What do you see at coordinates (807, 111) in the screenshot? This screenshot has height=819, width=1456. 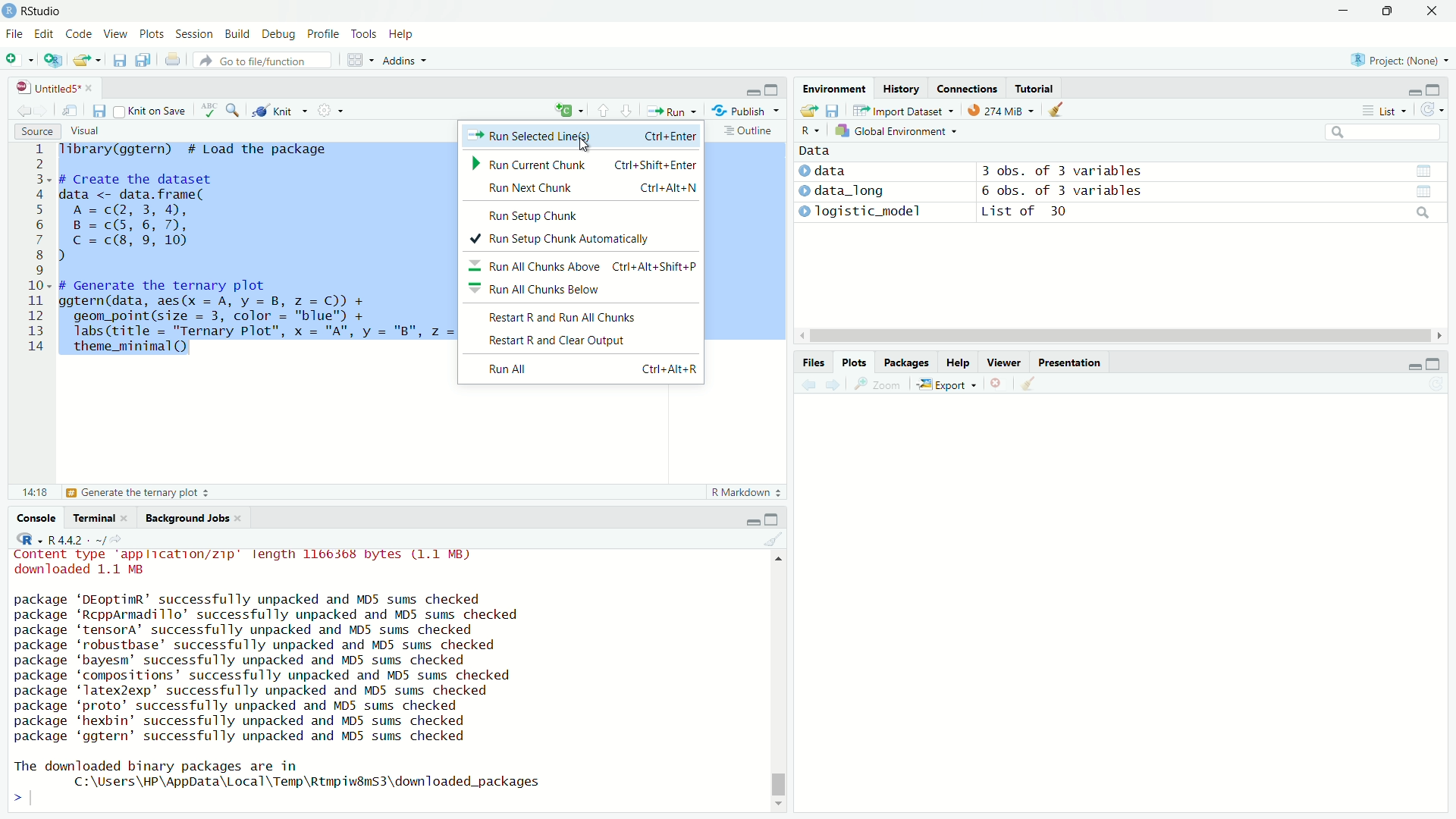 I see `export` at bounding box center [807, 111].